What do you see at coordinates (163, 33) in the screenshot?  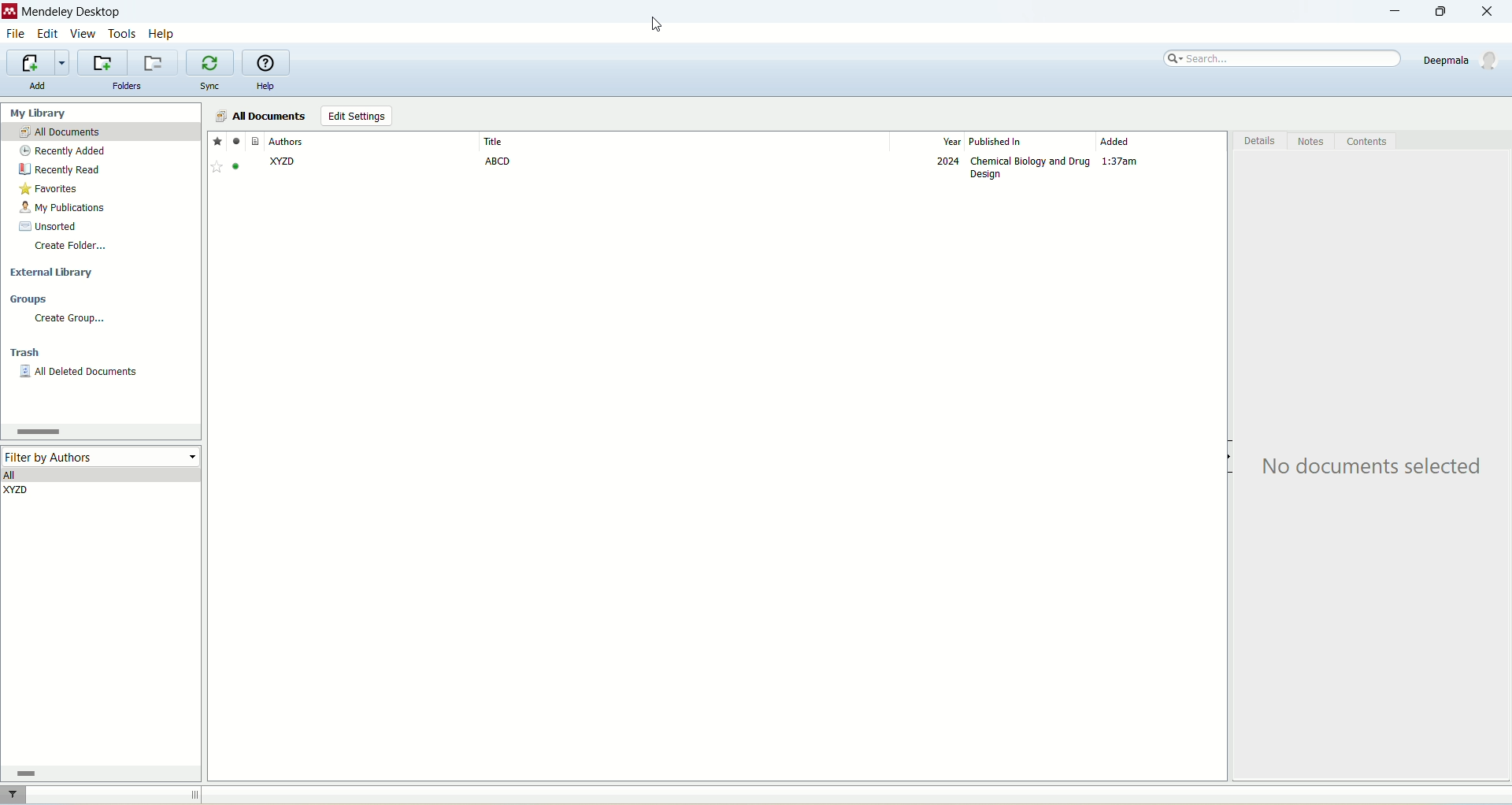 I see `help` at bounding box center [163, 33].